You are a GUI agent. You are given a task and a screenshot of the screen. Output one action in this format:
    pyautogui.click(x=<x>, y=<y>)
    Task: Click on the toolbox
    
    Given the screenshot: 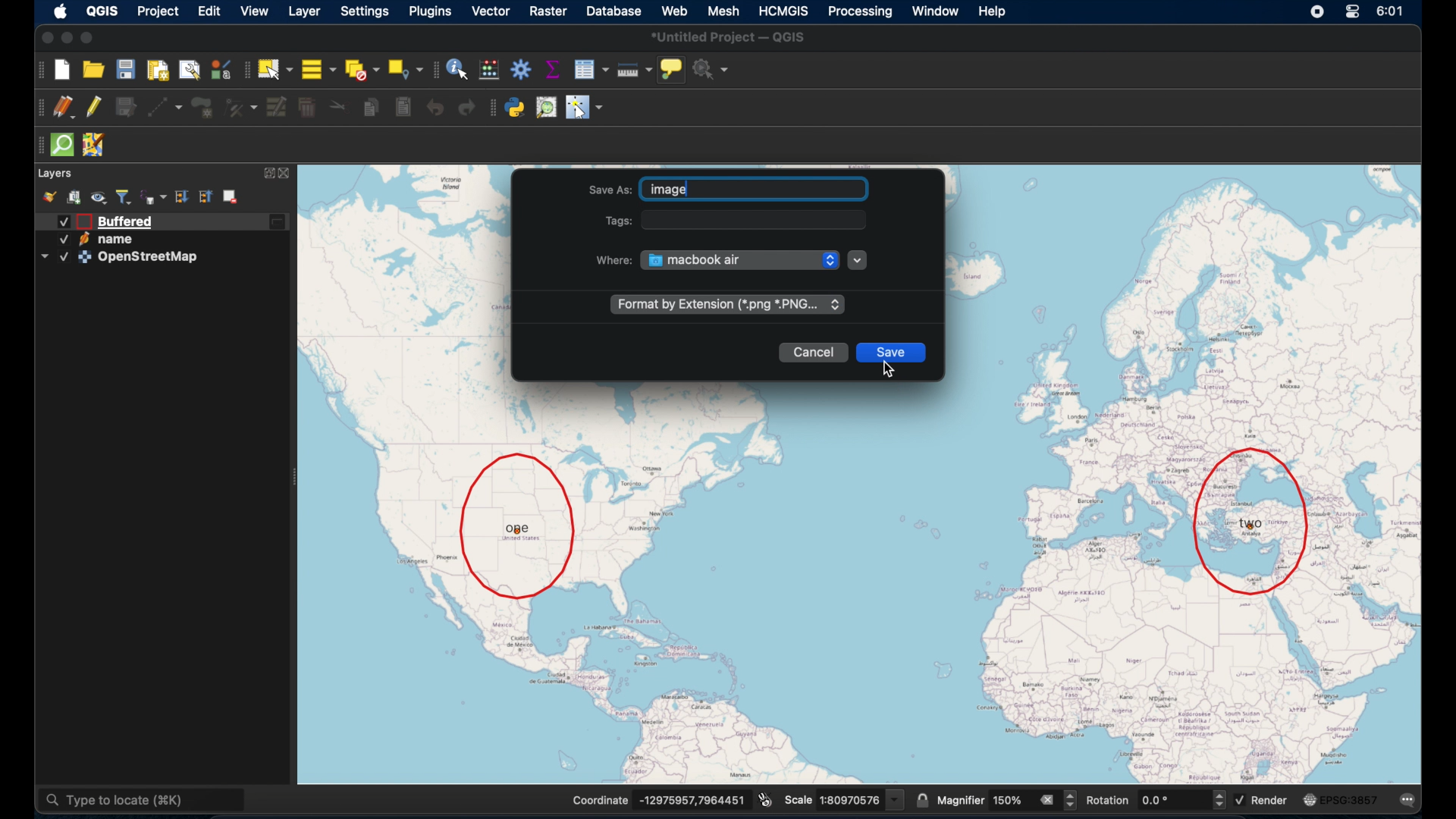 What is the action you would take?
    pyautogui.click(x=522, y=71)
    